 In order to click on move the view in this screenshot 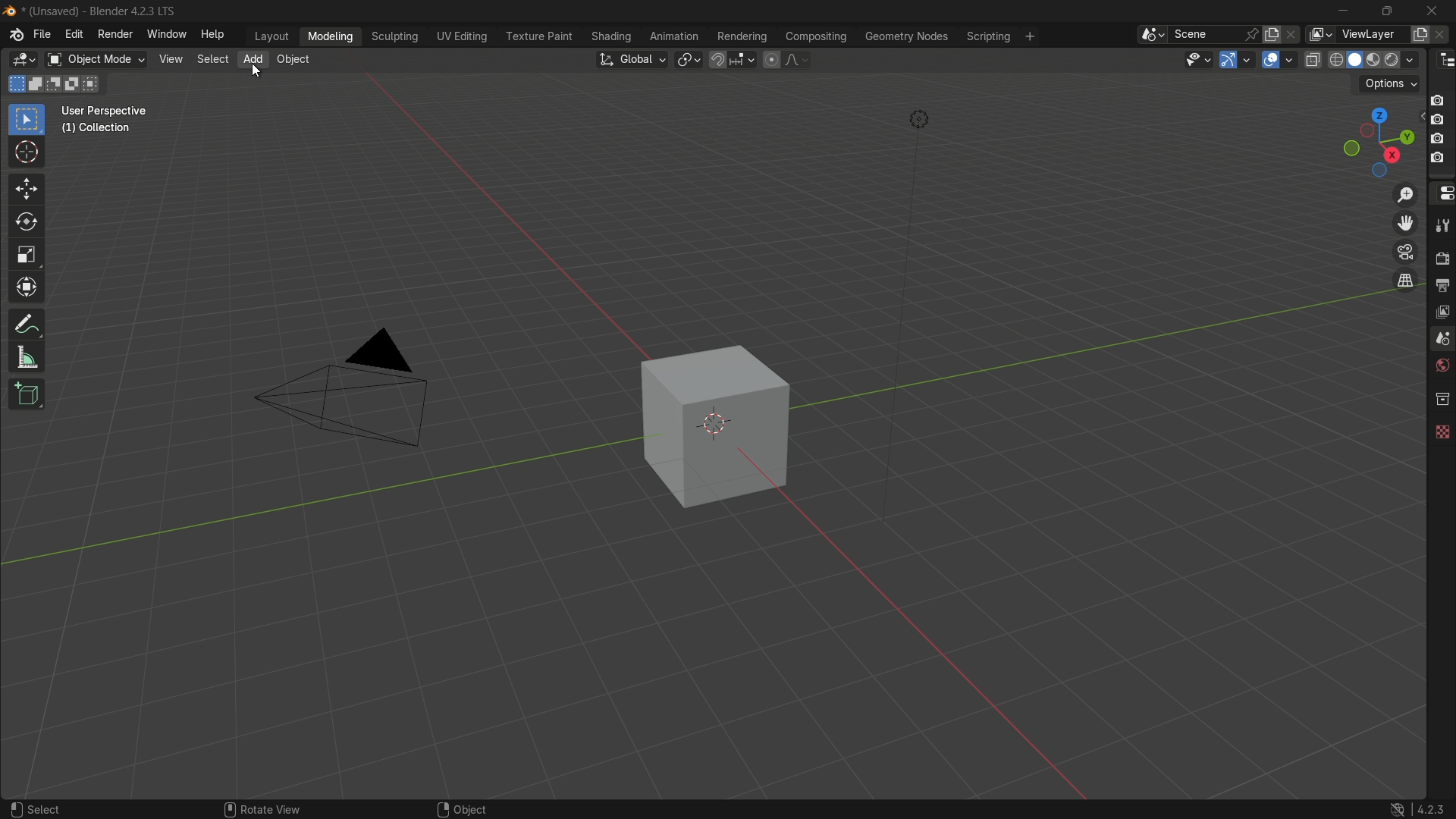, I will do `click(1404, 224)`.